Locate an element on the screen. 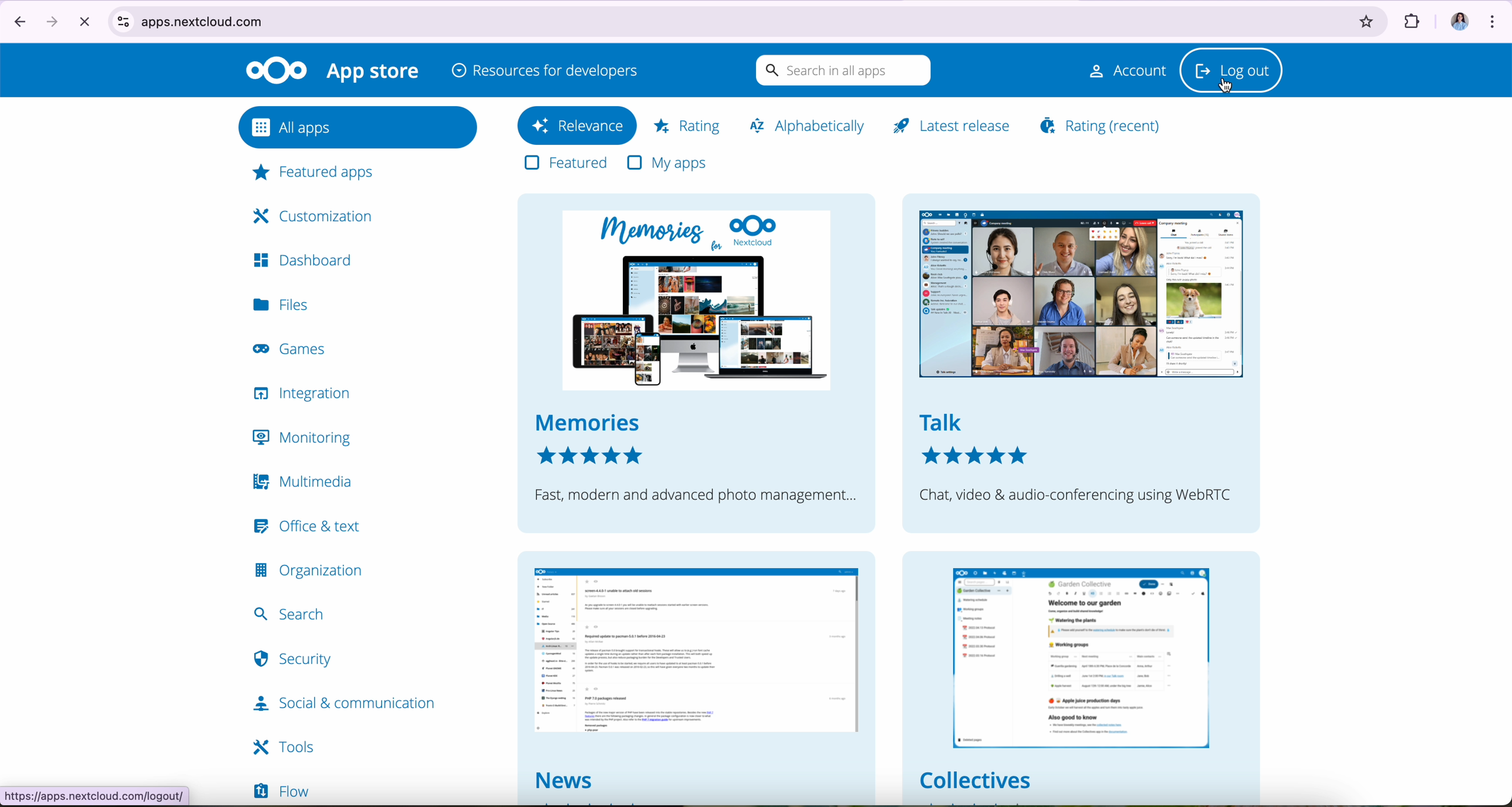 The width and height of the screenshot is (1512, 807). extensions is located at coordinates (1419, 22).